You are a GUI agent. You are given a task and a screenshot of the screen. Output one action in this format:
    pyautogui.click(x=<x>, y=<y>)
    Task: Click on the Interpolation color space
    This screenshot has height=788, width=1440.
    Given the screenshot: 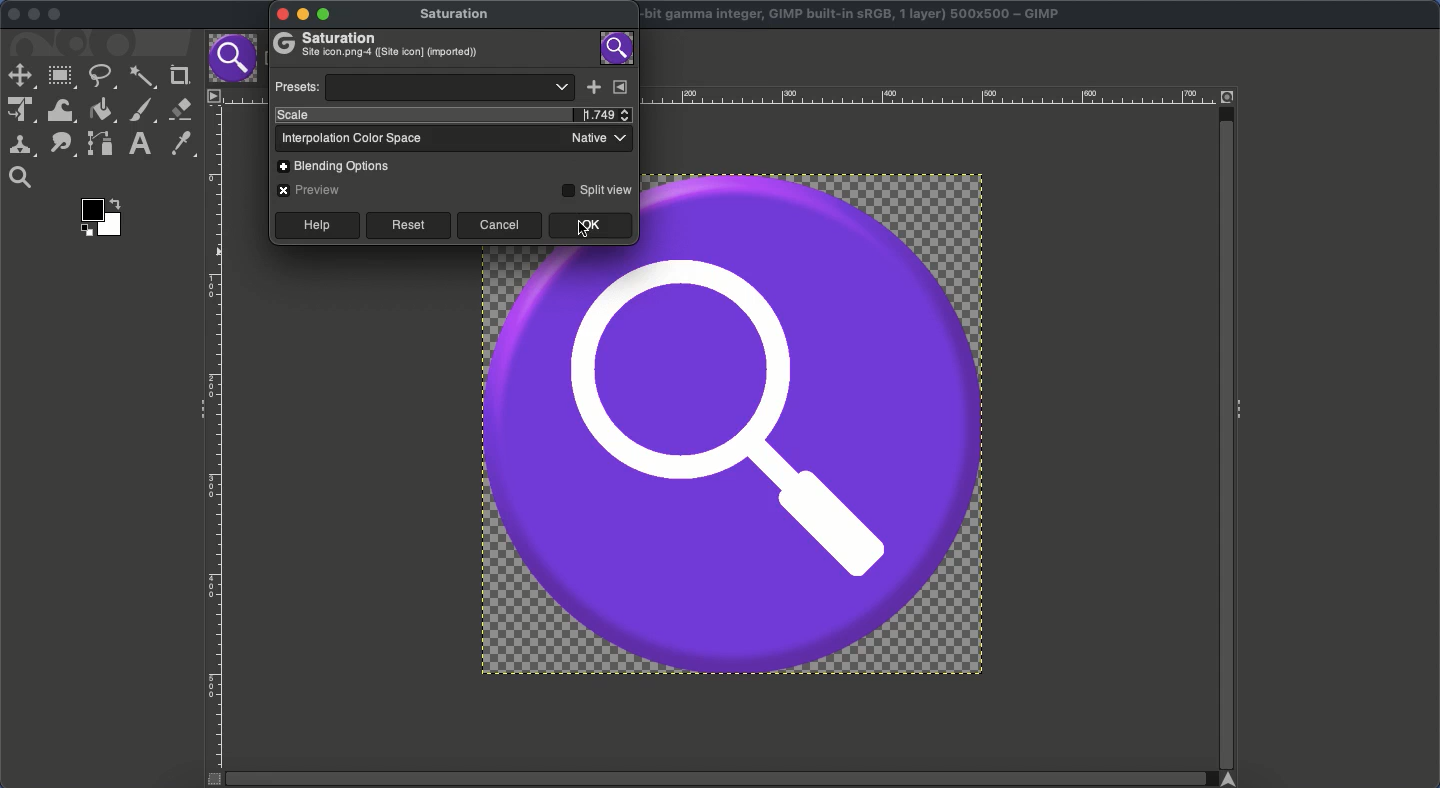 What is the action you would take?
    pyautogui.click(x=452, y=139)
    